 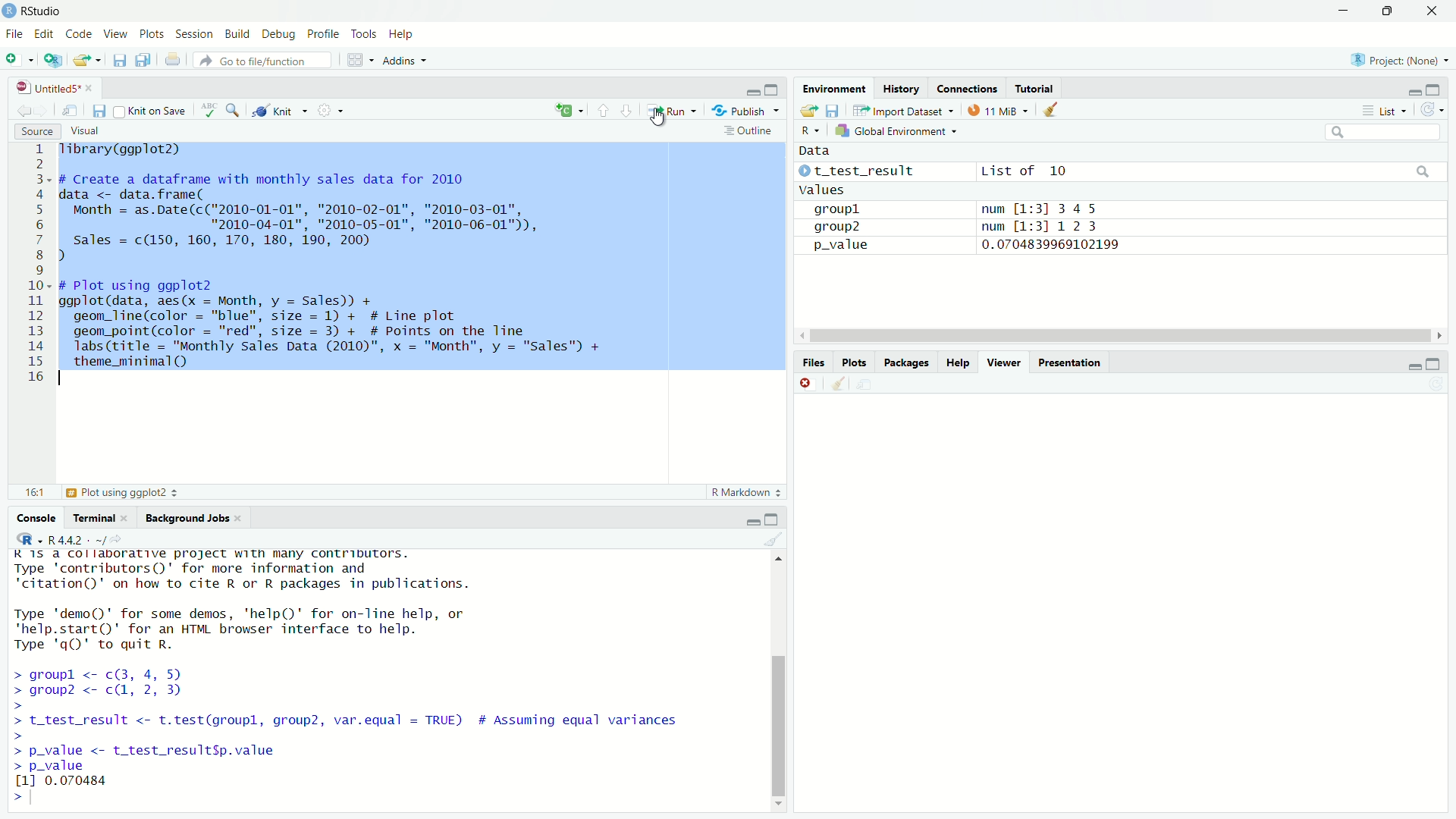 I want to click on Terminal, so click(x=98, y=516).